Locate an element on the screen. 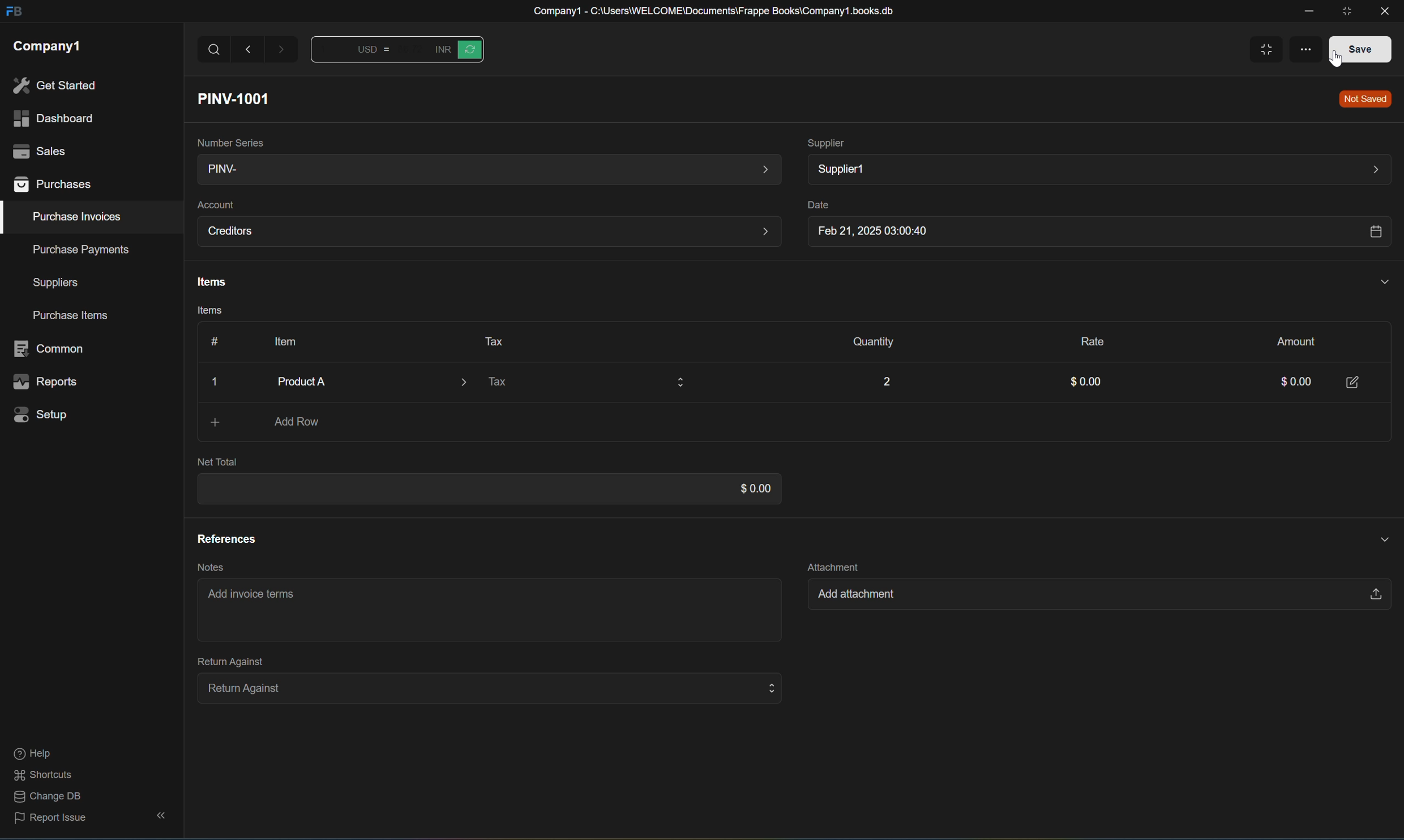  Items is located at coordinates (205, 312).